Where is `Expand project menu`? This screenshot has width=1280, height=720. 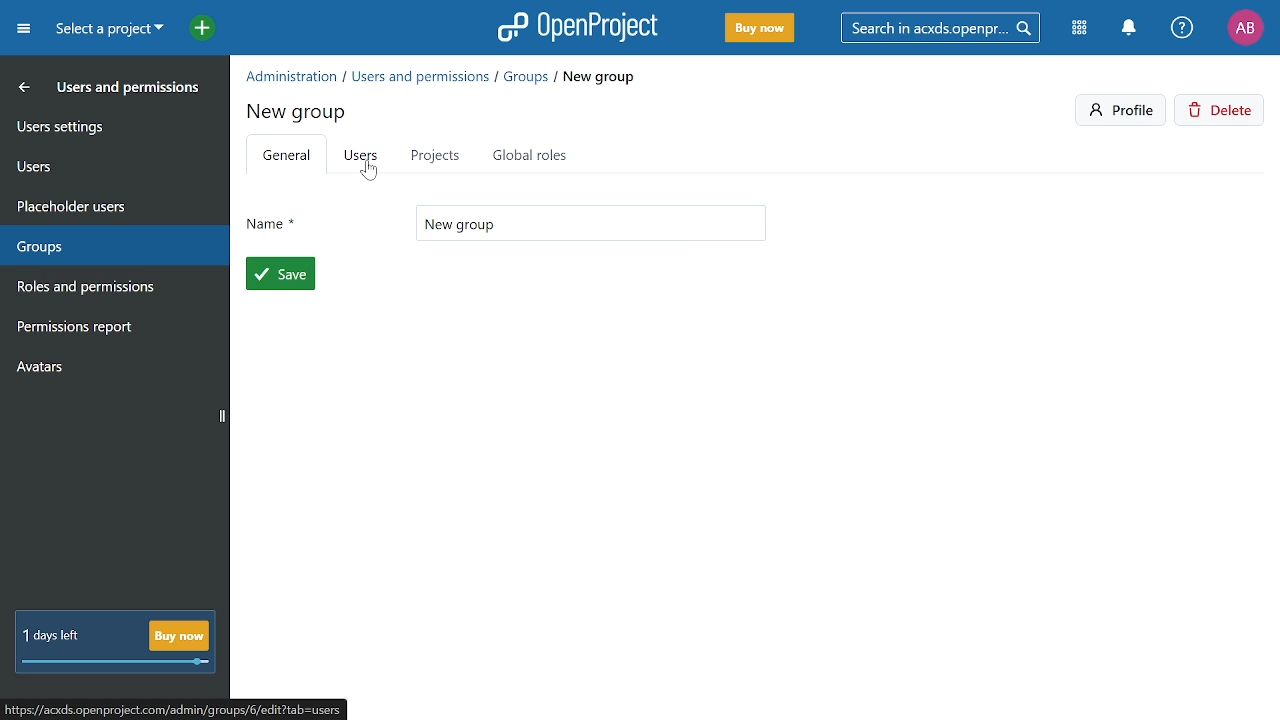
Expand project menu is located at coordinates (23, 28).